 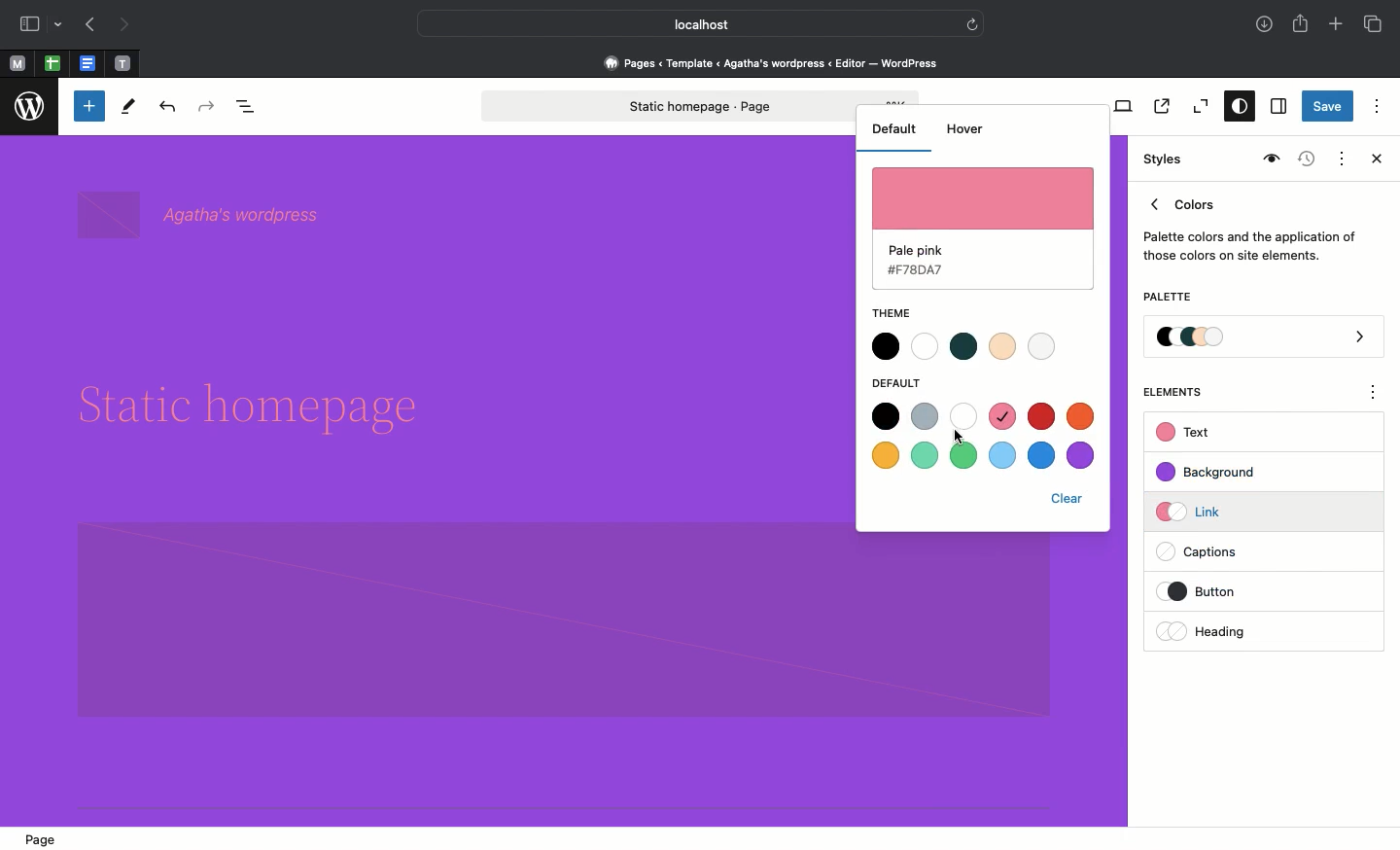 What do you see at coordinates (1302, 23) in the screenshot?
I see `Share` at bounding box center [1302, 23].